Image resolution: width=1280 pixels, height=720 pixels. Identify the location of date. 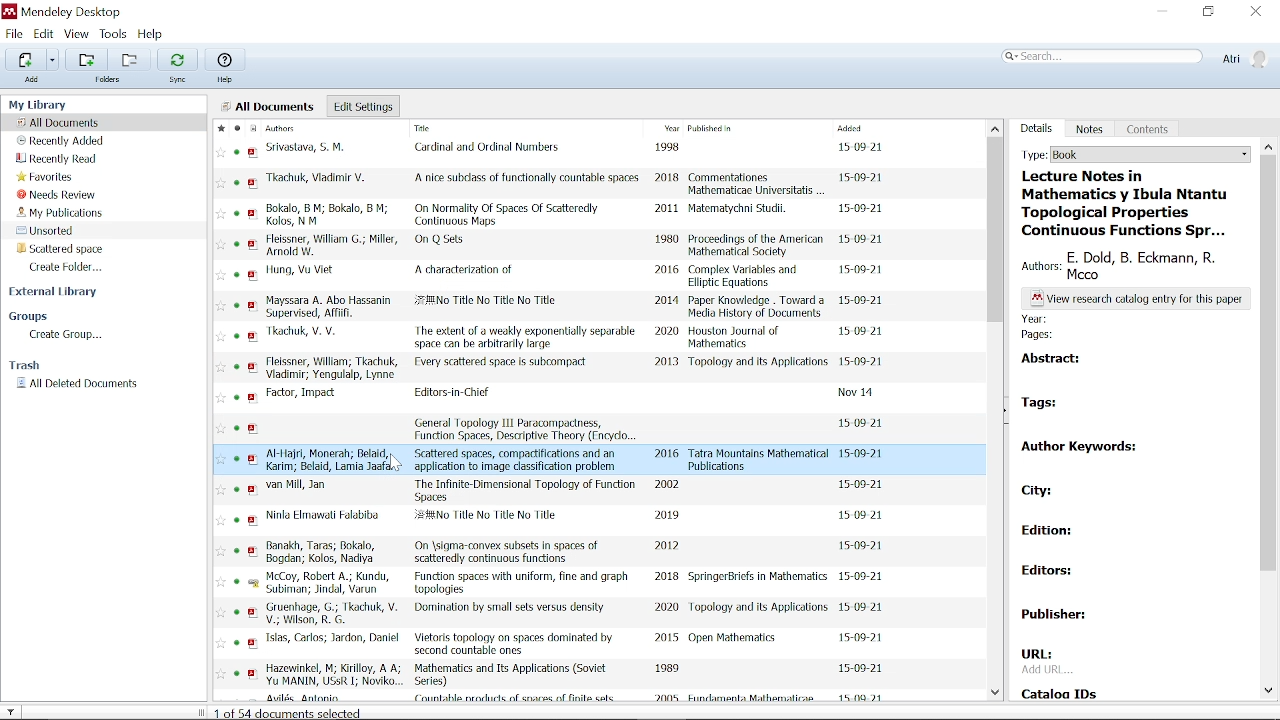
(864, 330).